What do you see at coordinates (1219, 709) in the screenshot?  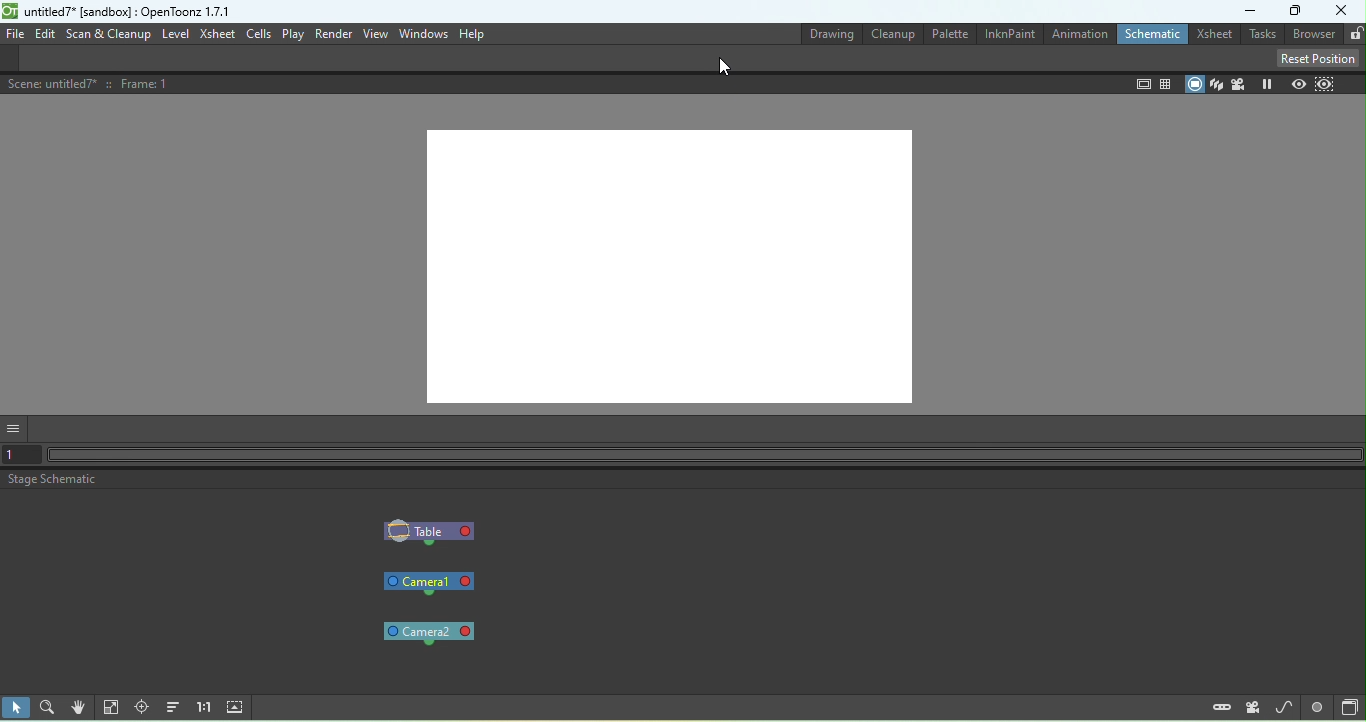 I see `New pegbar` at bounding box center [1219, 709].